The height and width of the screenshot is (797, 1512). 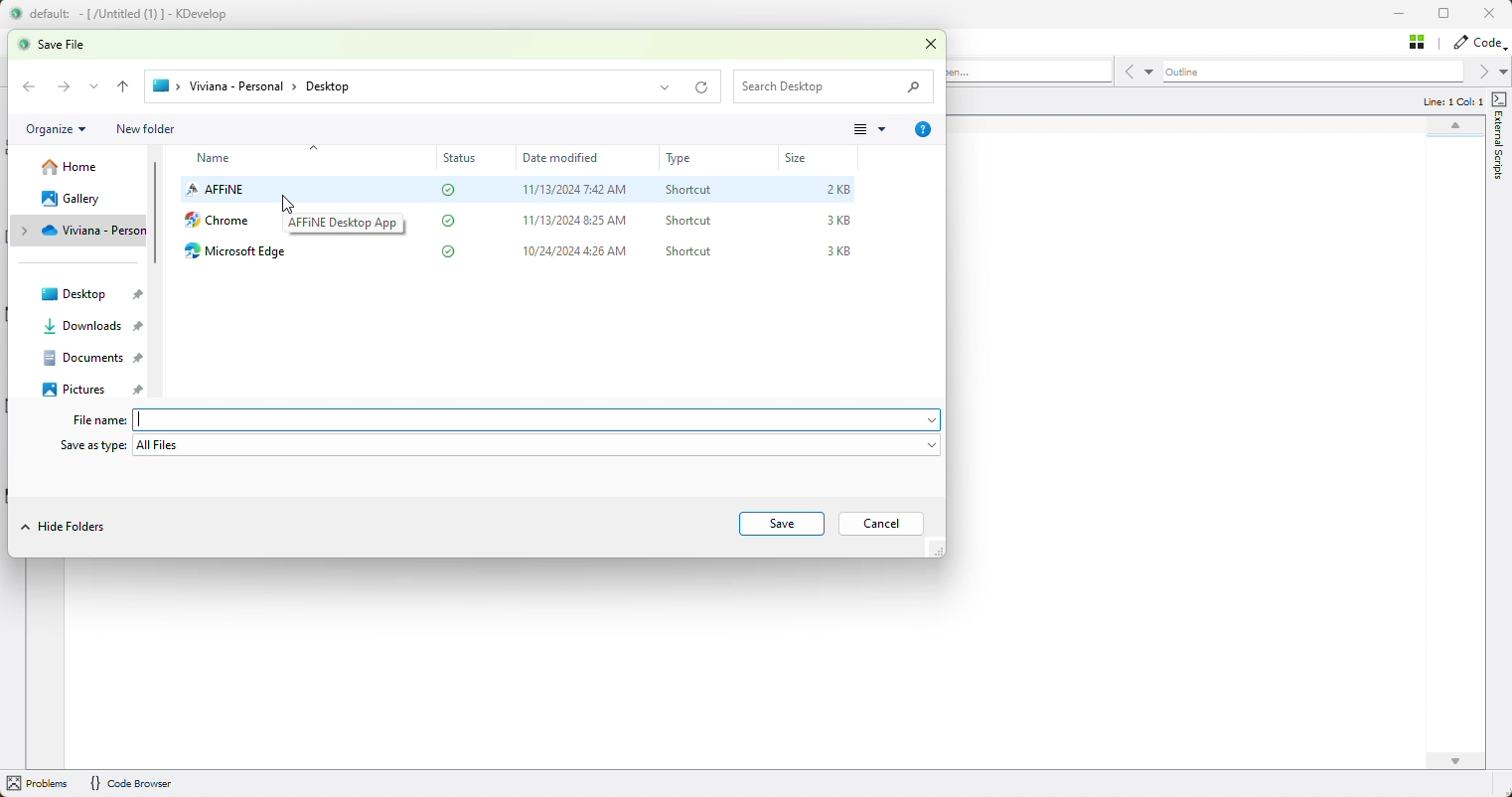 What do you see at coordinates (1419, 41) in the screenshot?
I see `Stash` at bounding box center [1419, 41].